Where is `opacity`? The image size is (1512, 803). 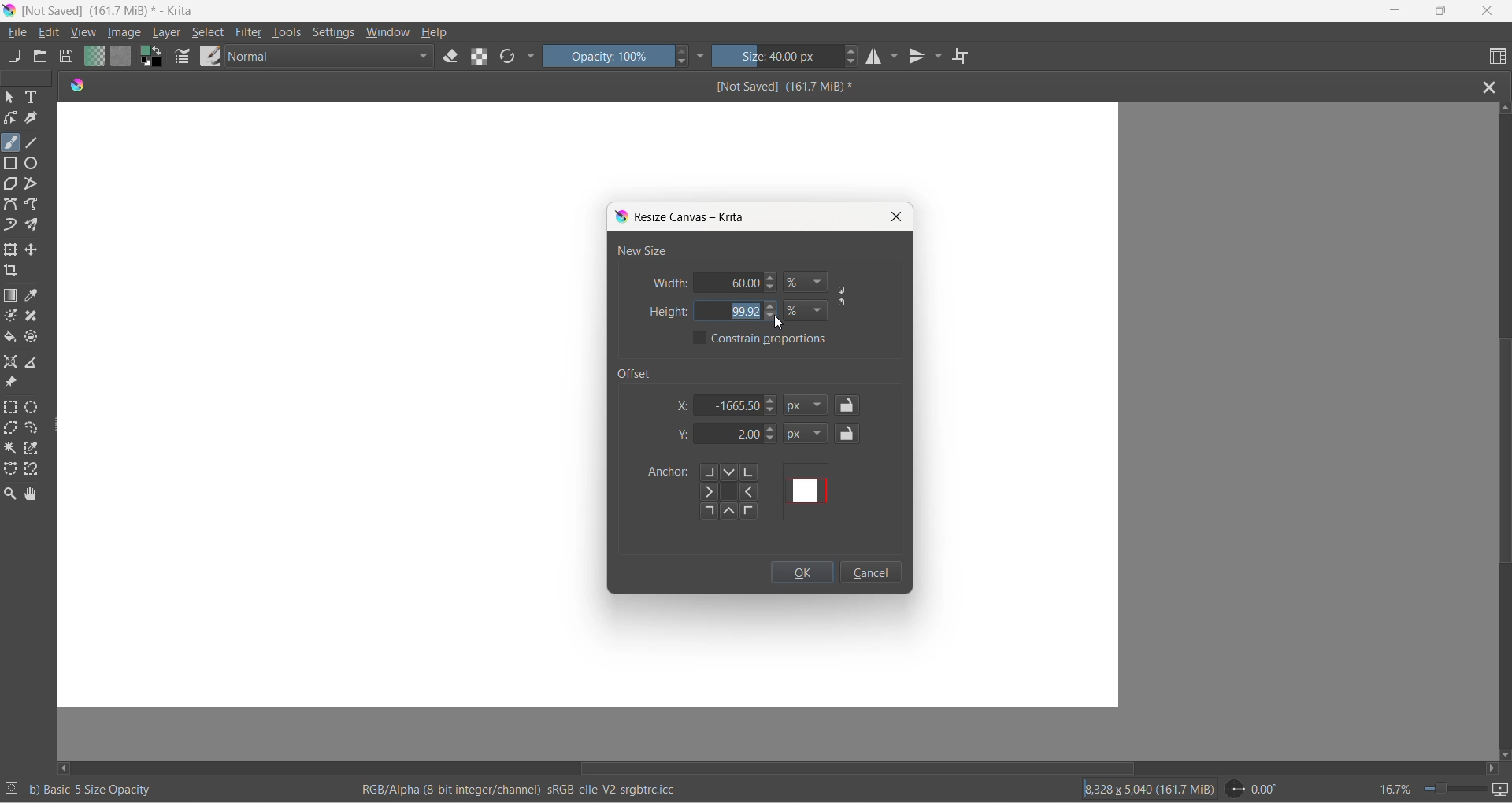 opacity is located at coordinates (609, 56).